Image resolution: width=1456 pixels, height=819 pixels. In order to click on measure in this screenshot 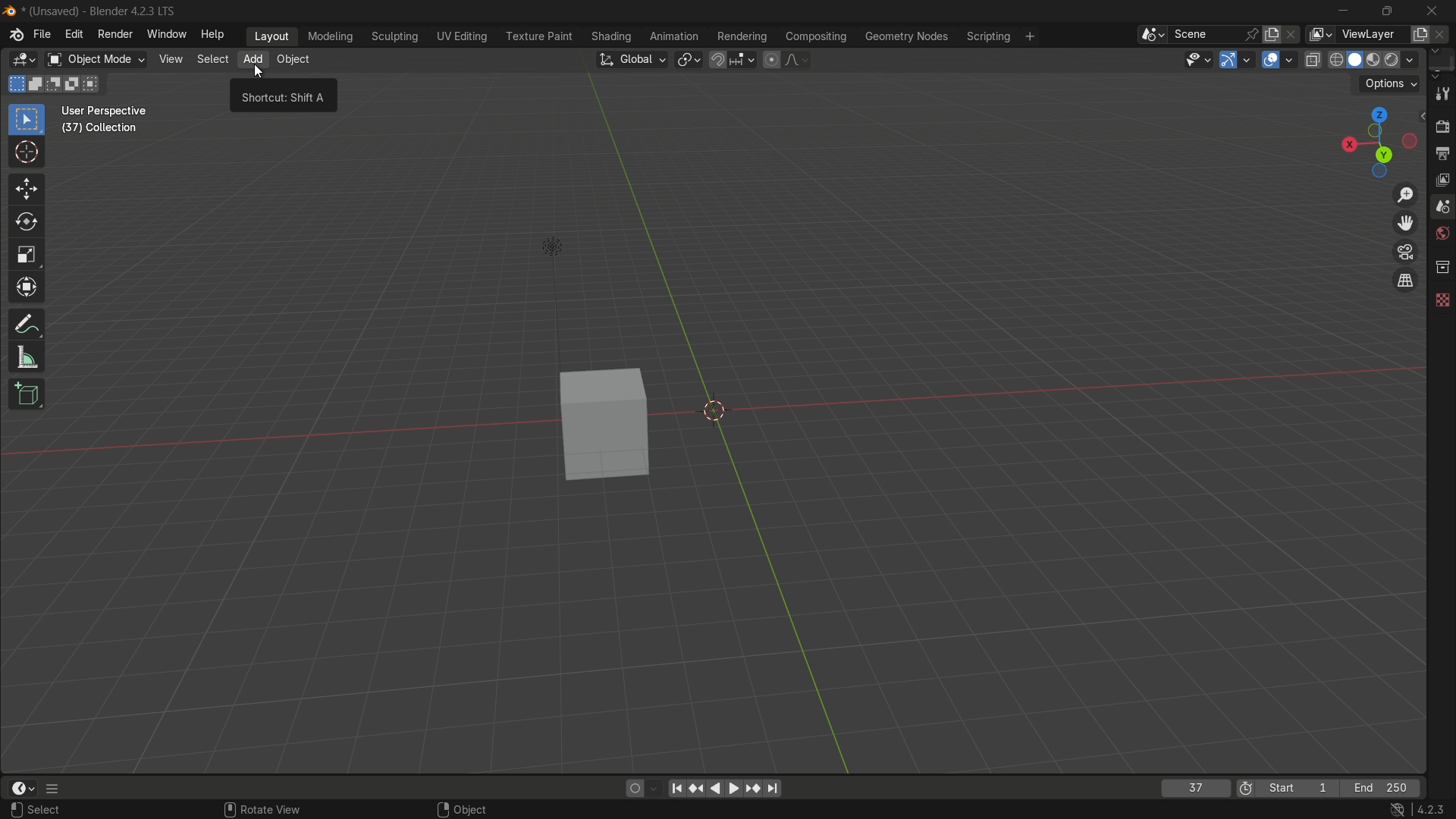, I will do `click(27, 359)`.